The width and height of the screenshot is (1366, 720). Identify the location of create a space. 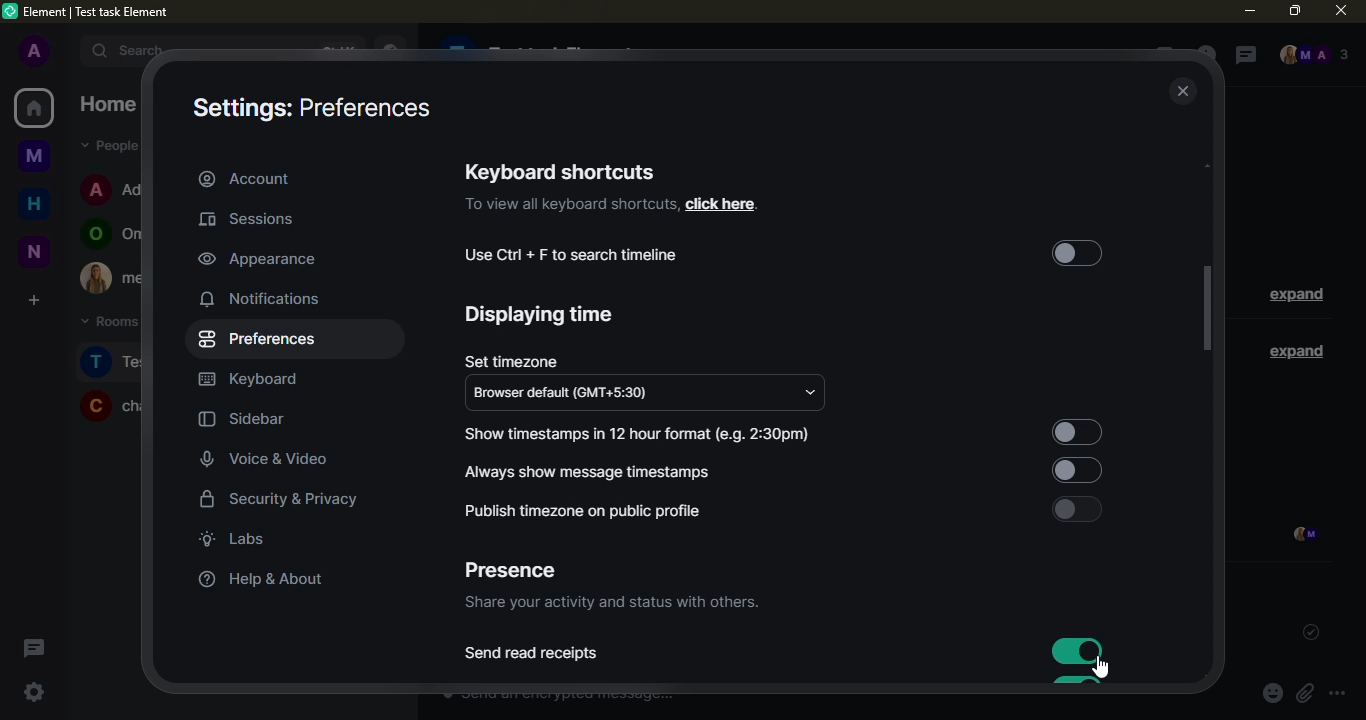
(32, 299).